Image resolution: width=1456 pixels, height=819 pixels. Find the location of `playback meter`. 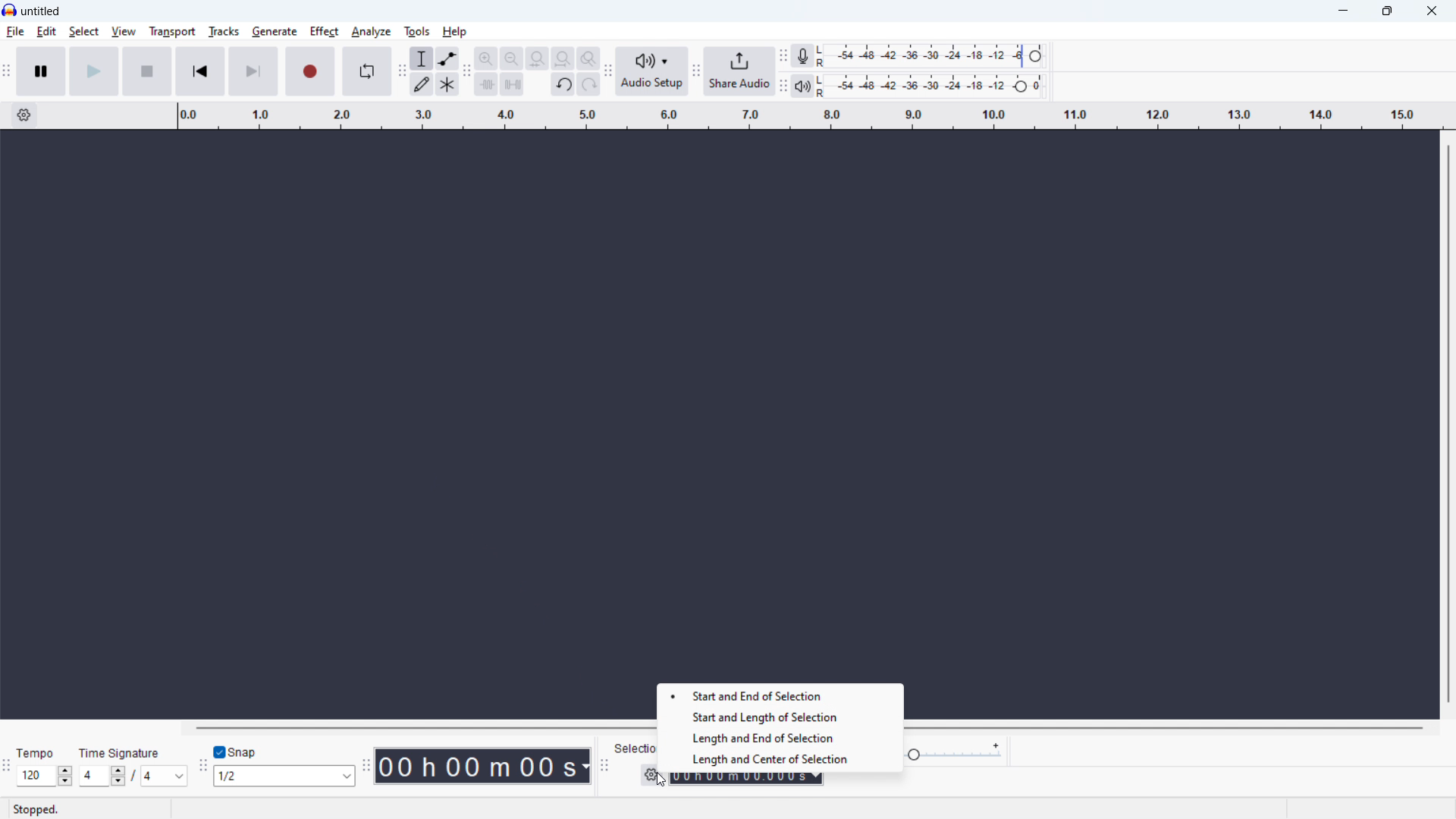

playback meter is located at coordinates (802, 86).